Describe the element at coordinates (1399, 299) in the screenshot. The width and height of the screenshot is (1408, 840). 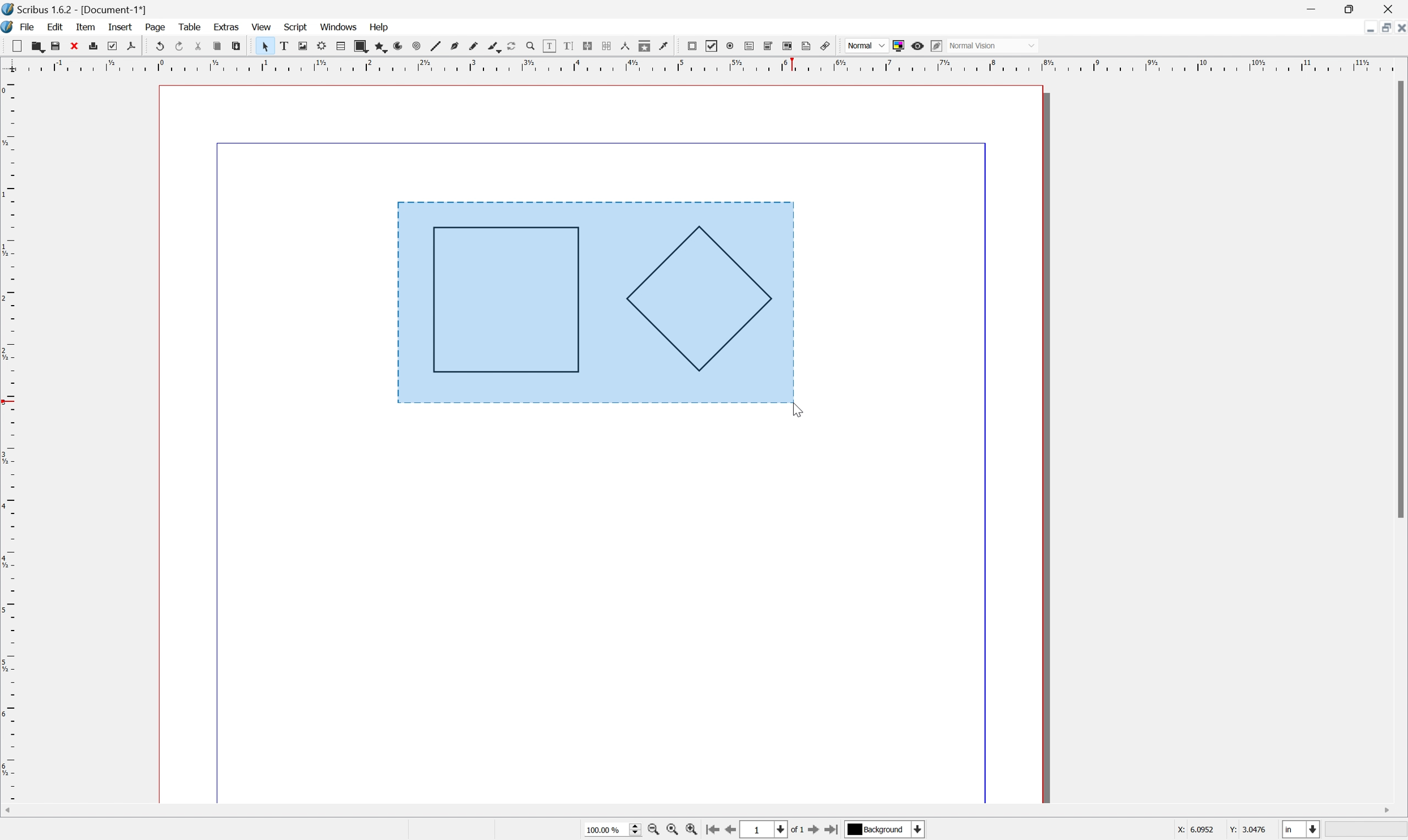
I see `Scroll Bar` at that location.